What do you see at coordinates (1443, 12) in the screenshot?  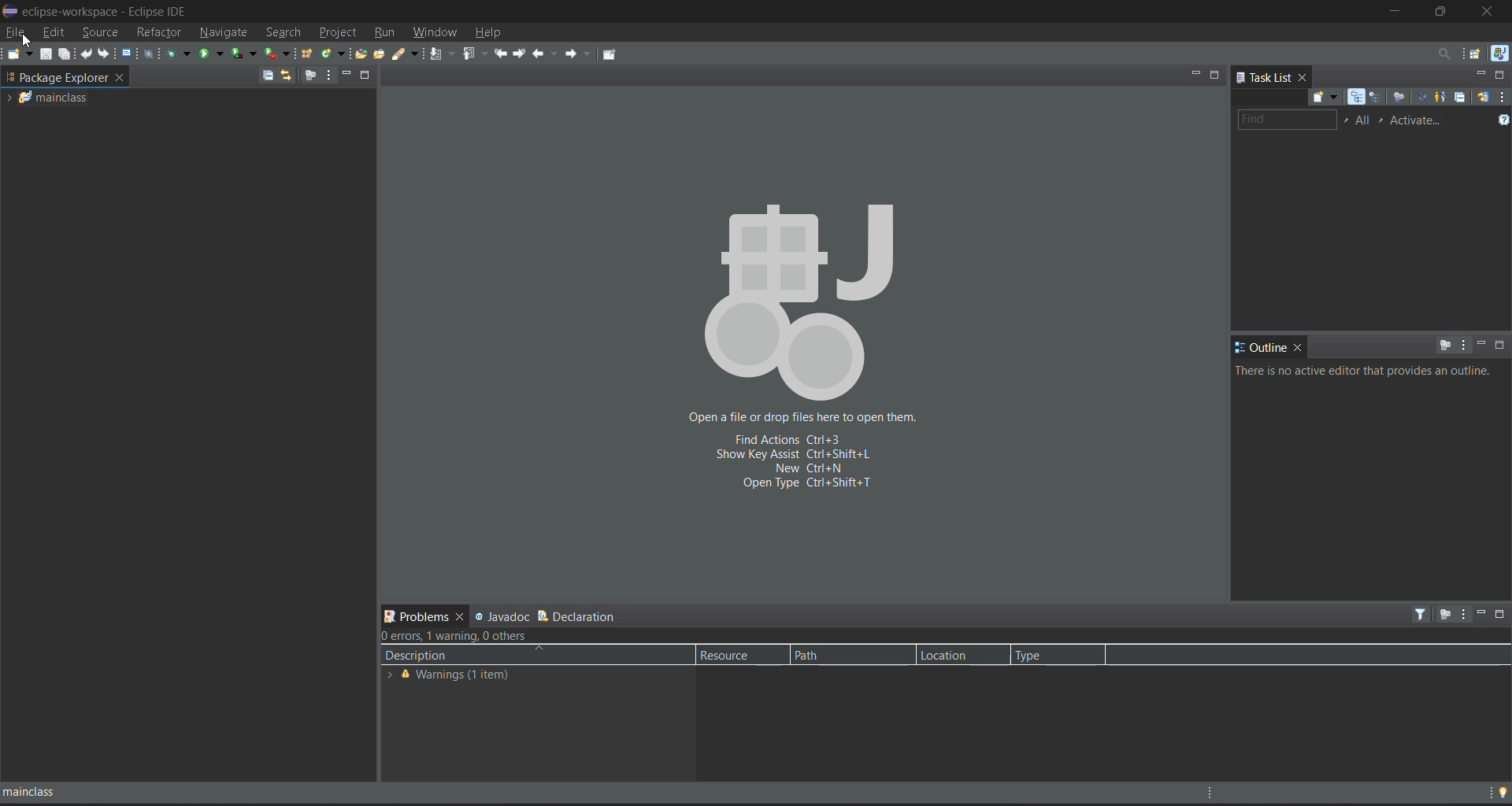 I see `maximize` at bounding box center [1443, 12].